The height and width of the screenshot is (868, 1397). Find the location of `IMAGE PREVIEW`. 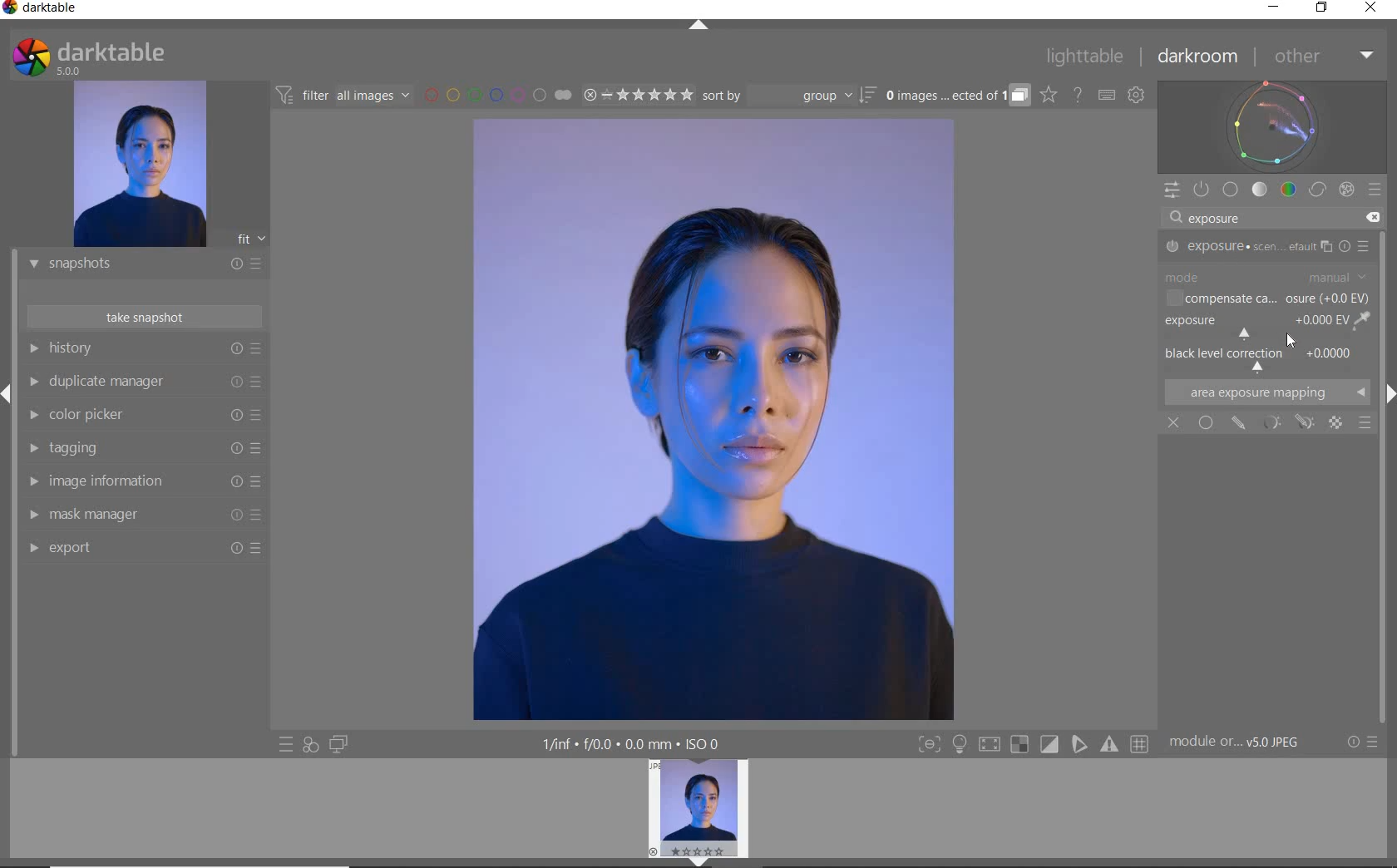

IMAGE PREVIEW is located at coordinates (139, 165).